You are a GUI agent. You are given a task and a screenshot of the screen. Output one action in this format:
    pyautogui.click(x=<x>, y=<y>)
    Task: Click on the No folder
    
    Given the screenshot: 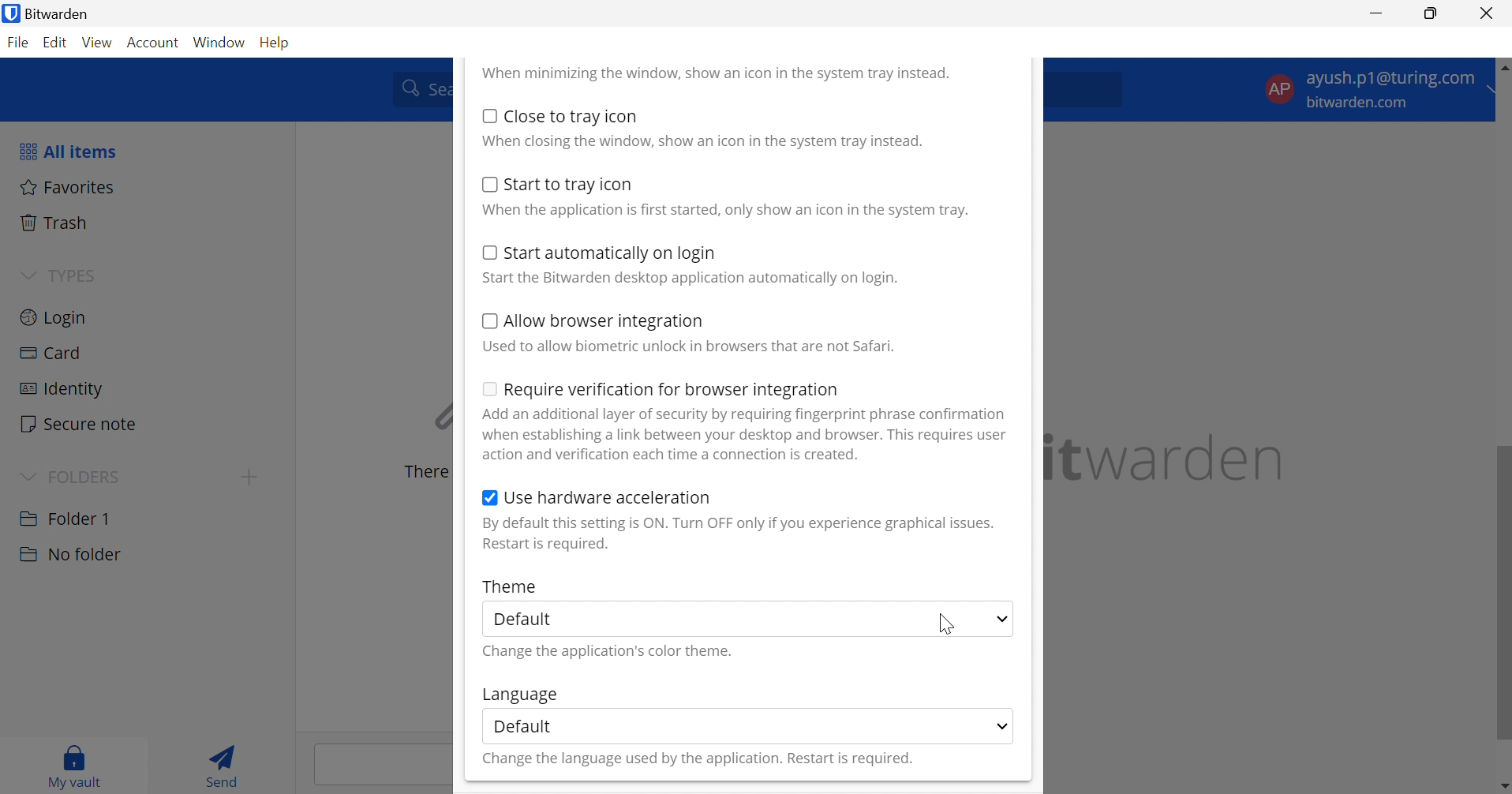 What is the action you would take?
    pyautogui.click(x=69, y=555)
    